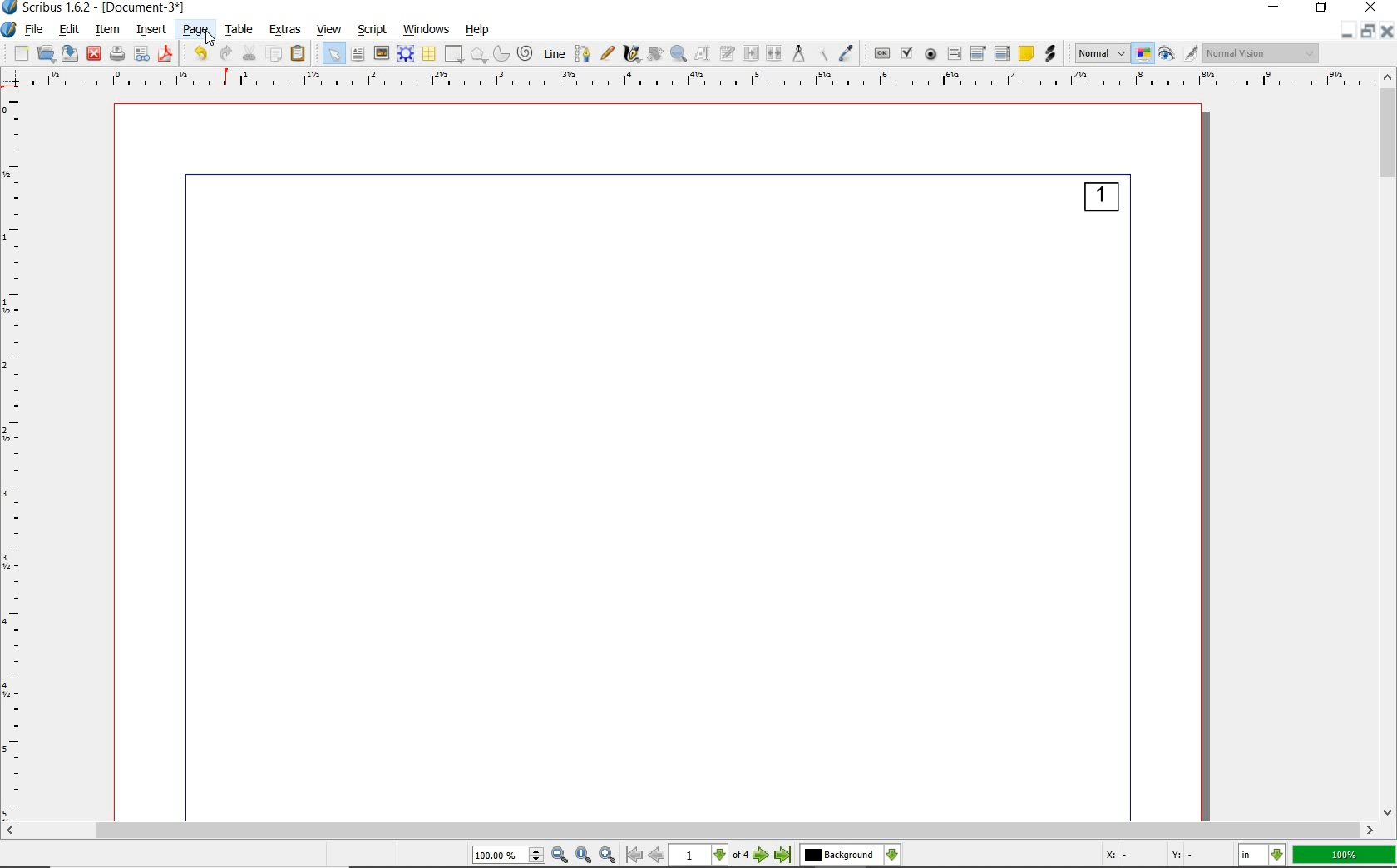 This screenshot has width=1397, height=868. What do you see at coordinates (21, 52) in the screenshot?
I see `new` at bounding box center [21, 52].